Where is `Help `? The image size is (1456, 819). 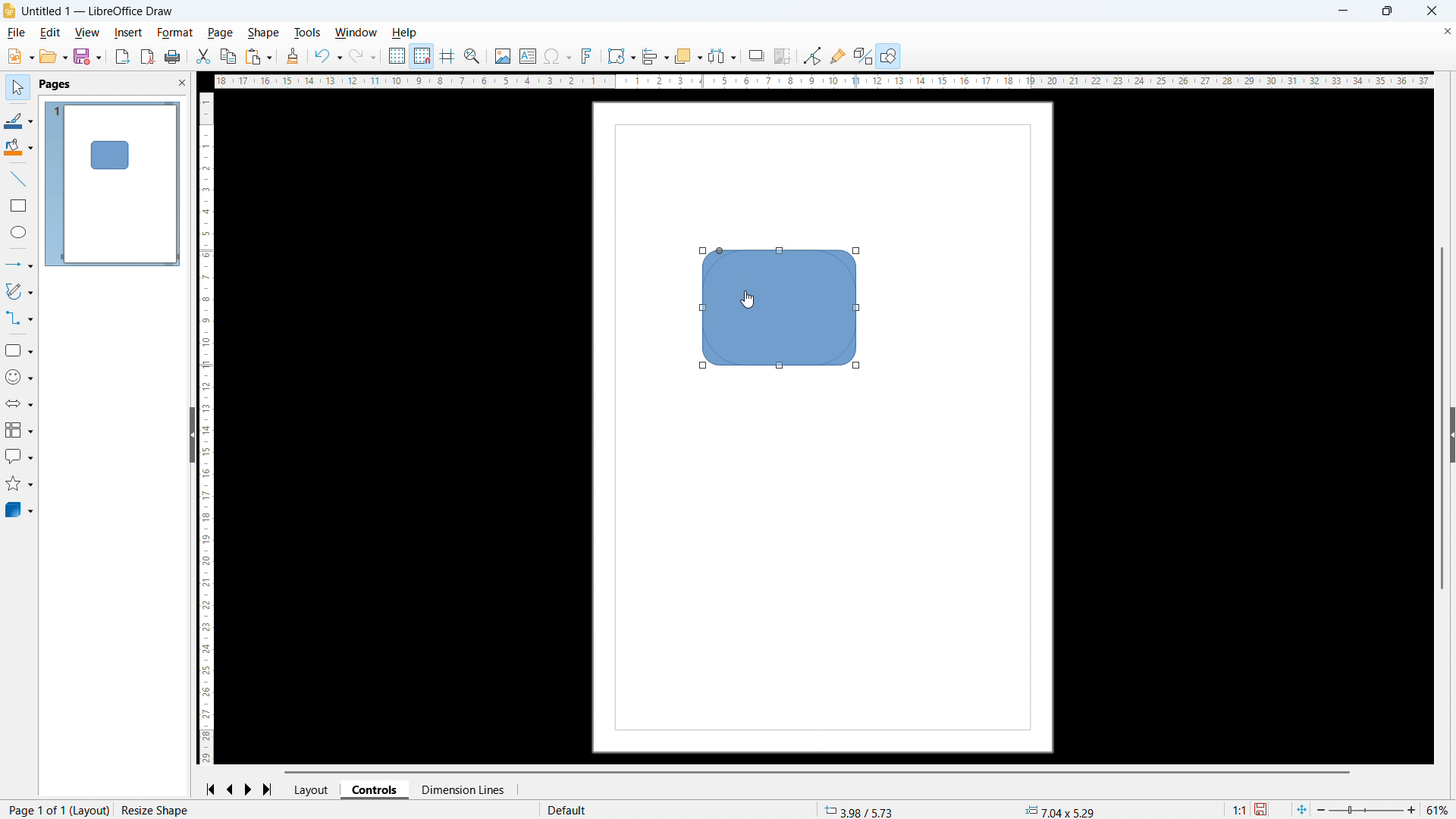
Help  is located at coordinates (406, 33).